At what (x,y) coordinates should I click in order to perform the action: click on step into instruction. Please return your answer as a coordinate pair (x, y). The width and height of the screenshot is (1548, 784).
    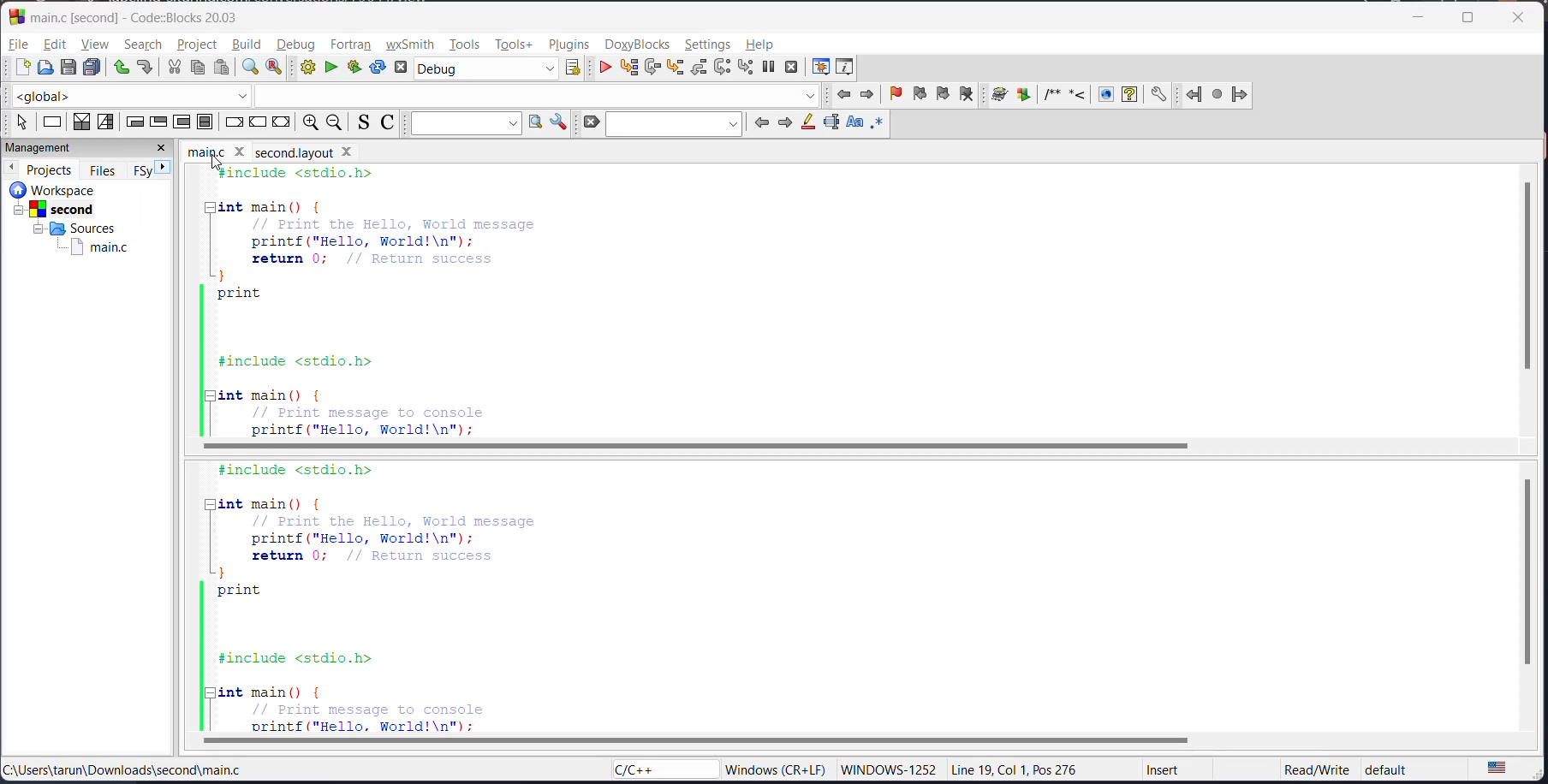
    Looking at the image, I should click on (747, 68).